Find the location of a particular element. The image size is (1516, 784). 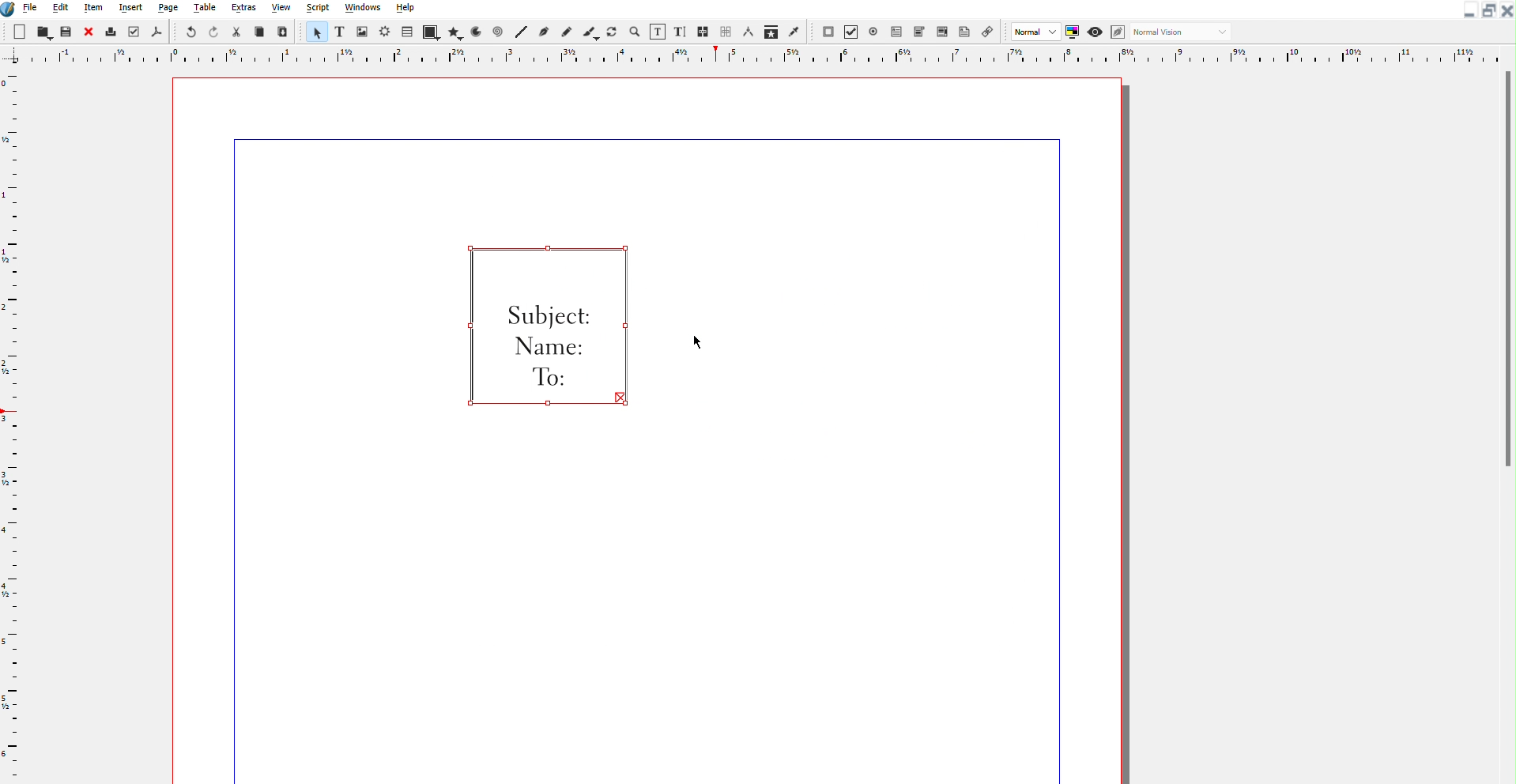

Page is located at coordinates (171, 10).